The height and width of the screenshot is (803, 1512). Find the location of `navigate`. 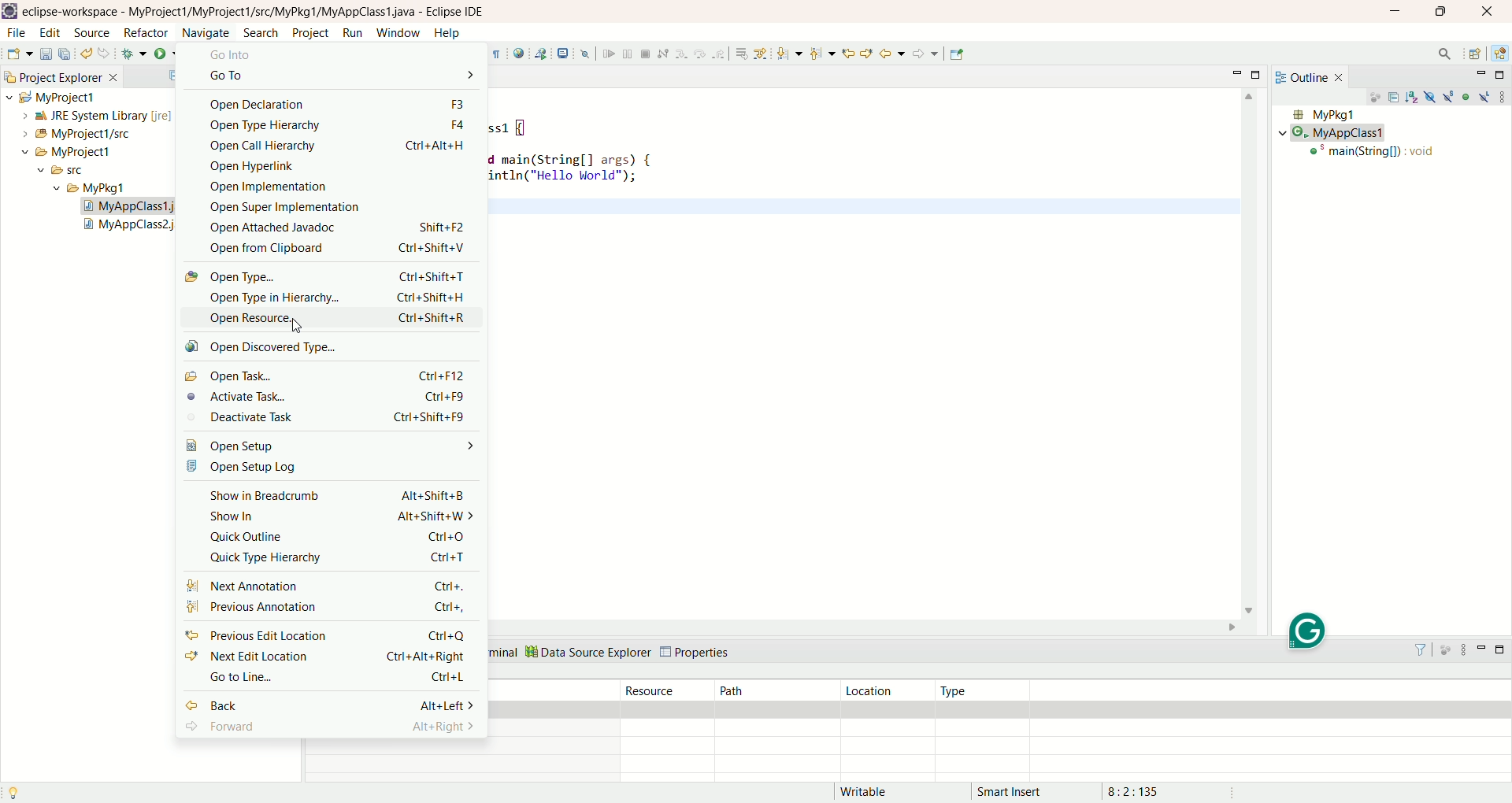

navigate is located at coordinates (206, 31).